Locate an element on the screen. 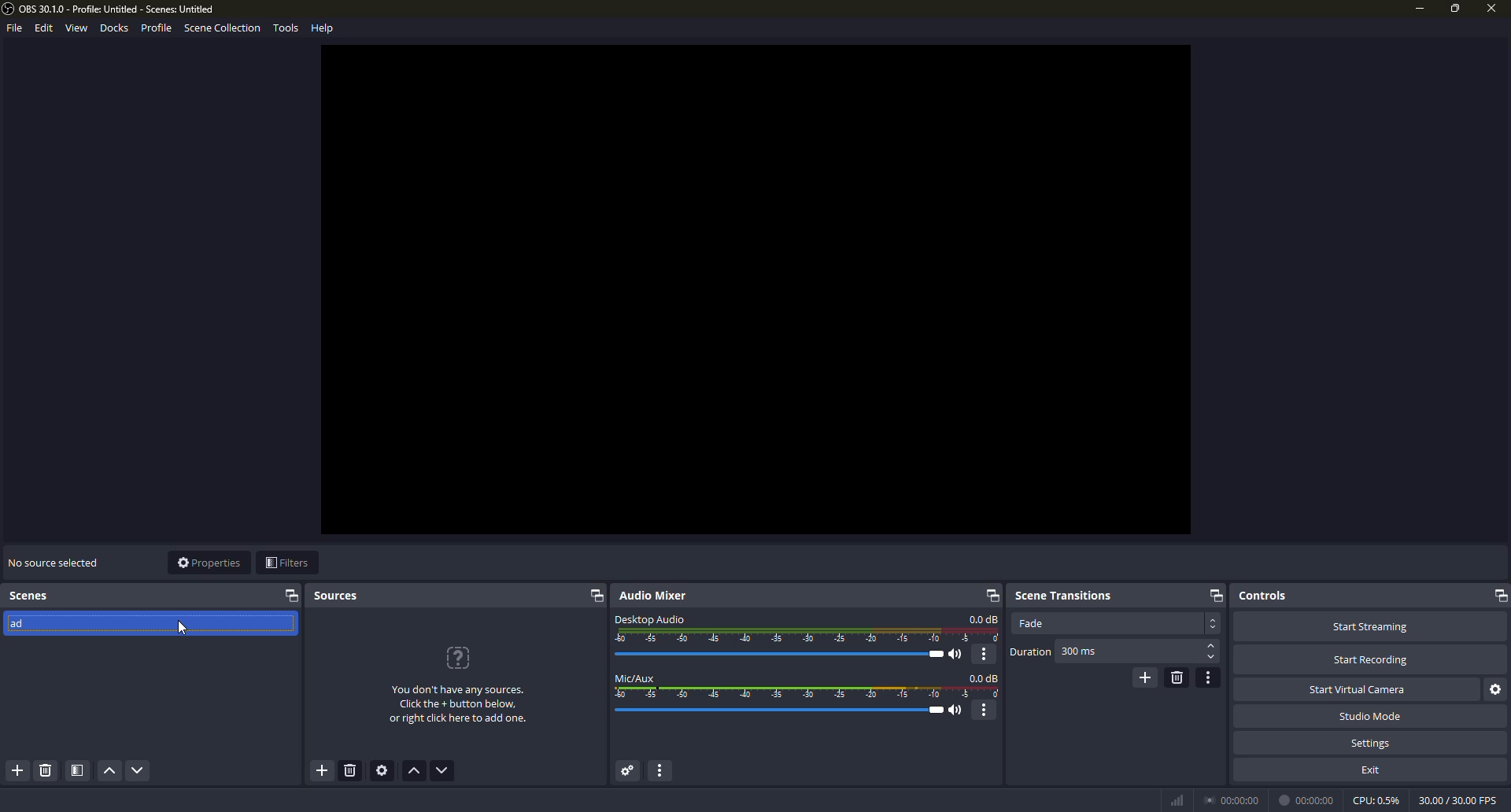  cursor is located at coordinates (180, 630).